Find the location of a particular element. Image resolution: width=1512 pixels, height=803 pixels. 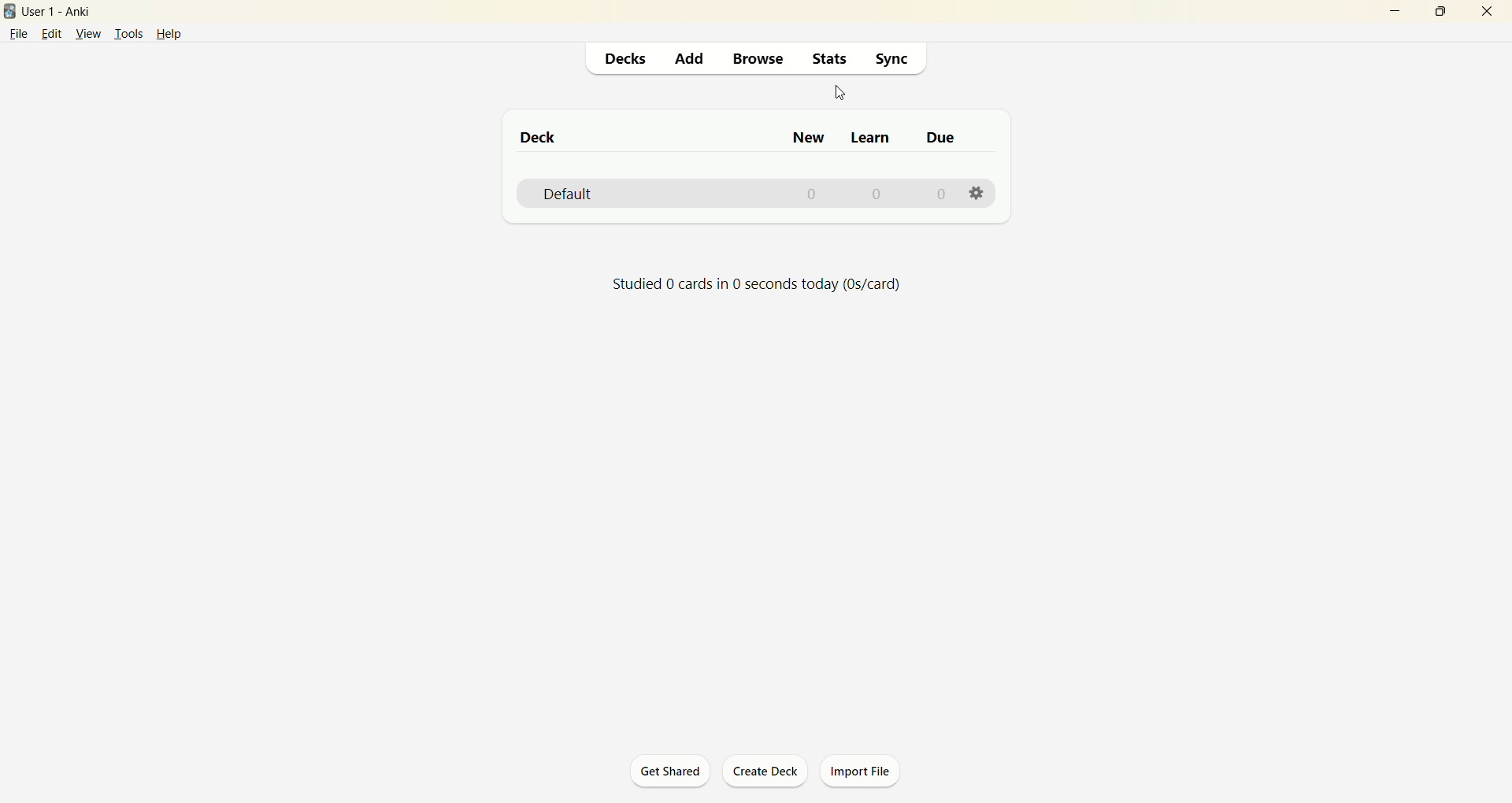

view is located at coordinates (87, 34).